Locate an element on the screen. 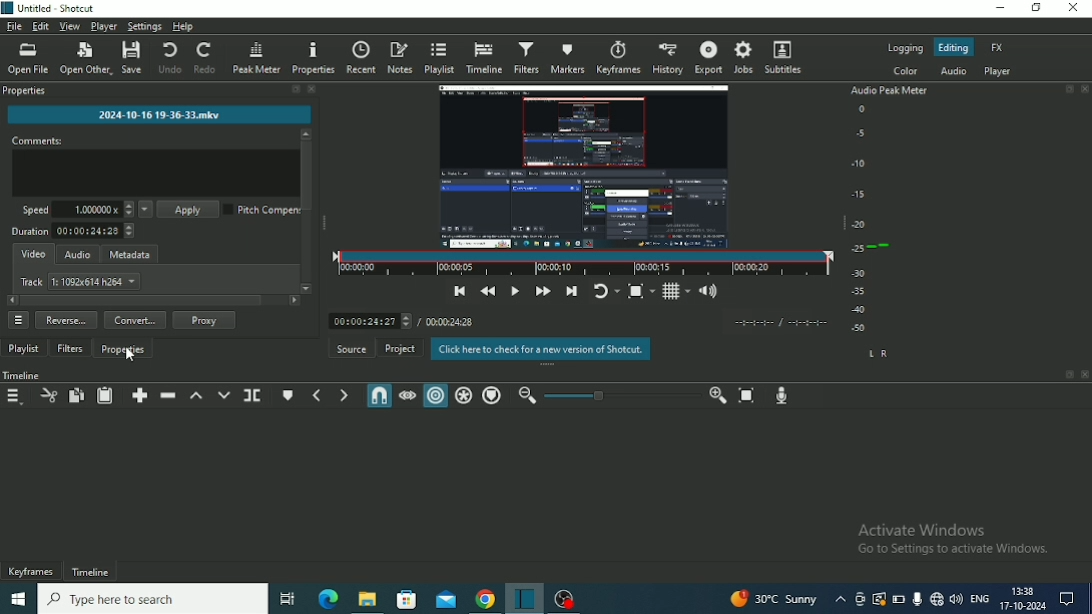 This screenshot has width=1092, height=614. Meet Now is located at coordinates (860, 599).